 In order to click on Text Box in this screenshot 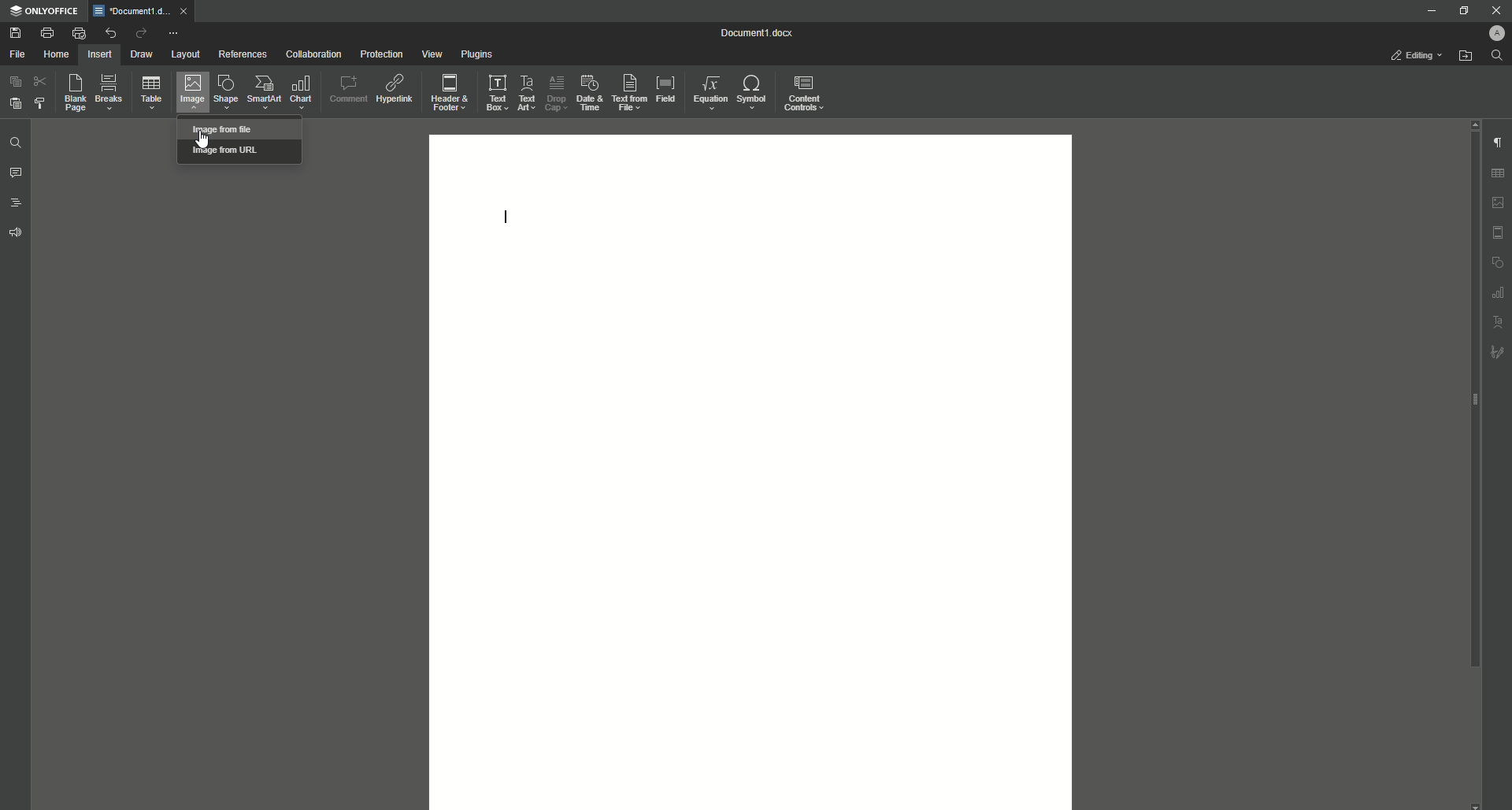, I will do `click(497, 94)`.